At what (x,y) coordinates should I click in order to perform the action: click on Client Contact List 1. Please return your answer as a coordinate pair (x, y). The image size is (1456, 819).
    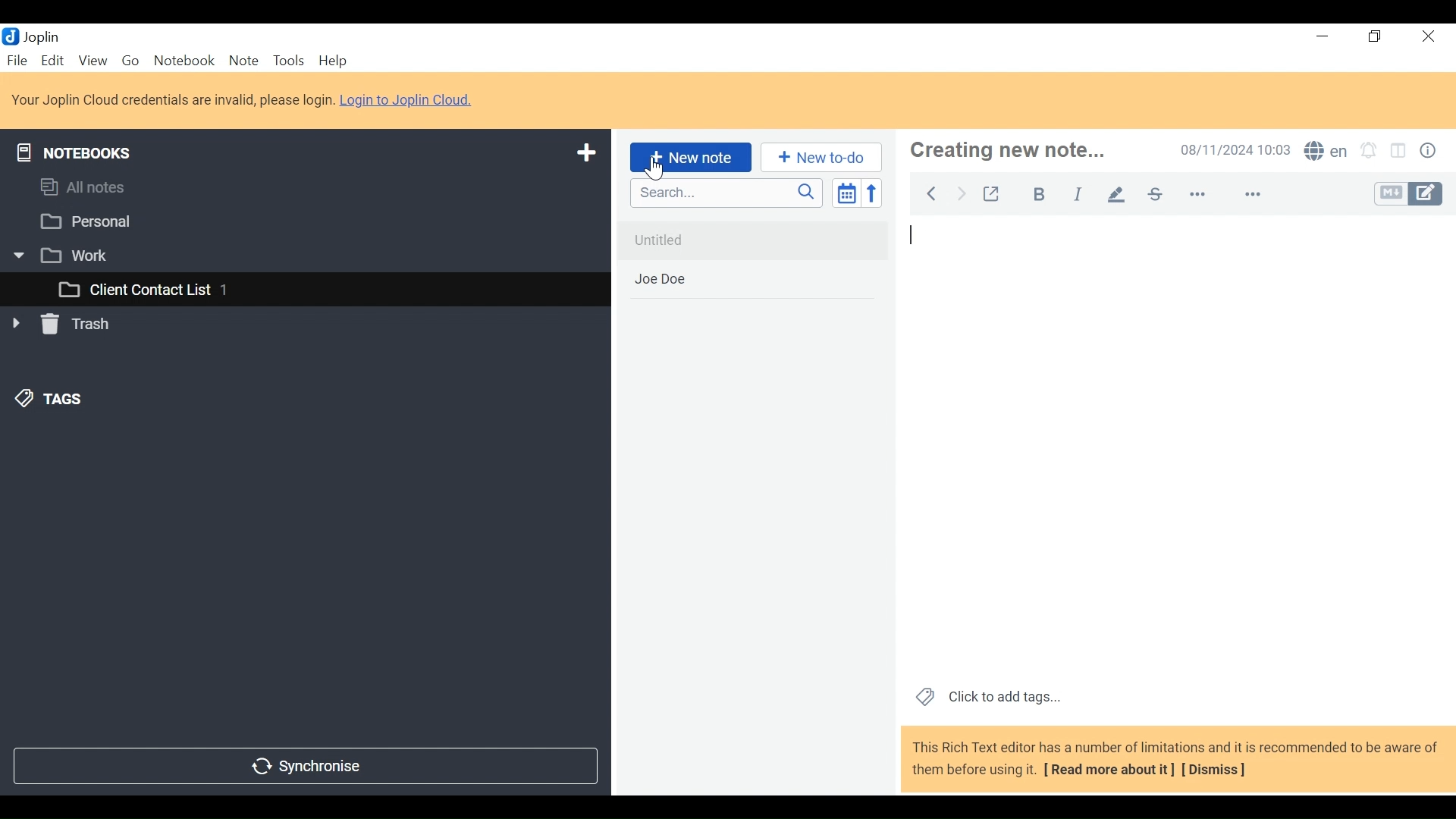
    Looking at the image, I should click on (304, 290).